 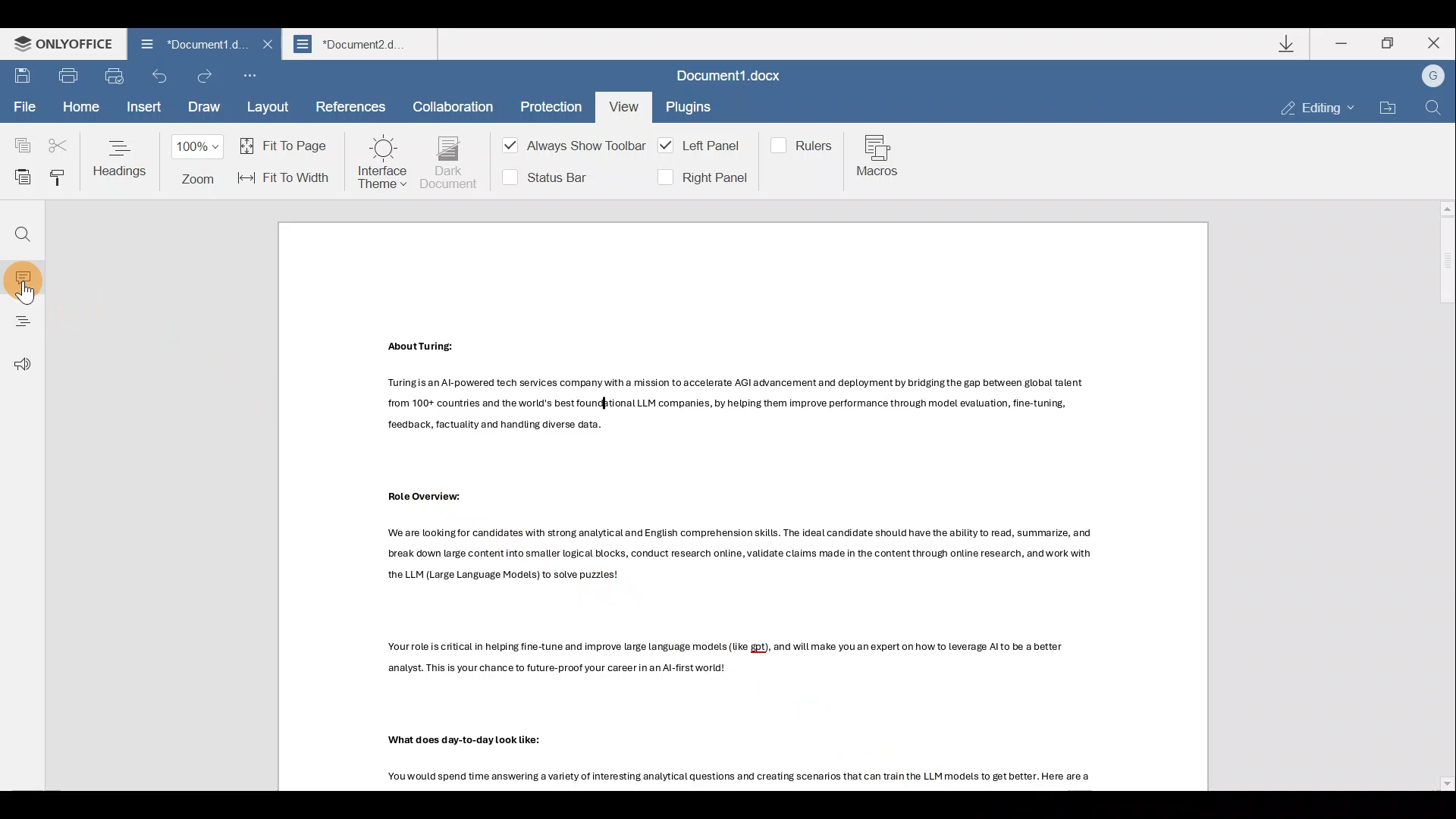 What do you see at coordinates (26, 293) in the screenshot?
I see `` at bounding box center [26, 293].